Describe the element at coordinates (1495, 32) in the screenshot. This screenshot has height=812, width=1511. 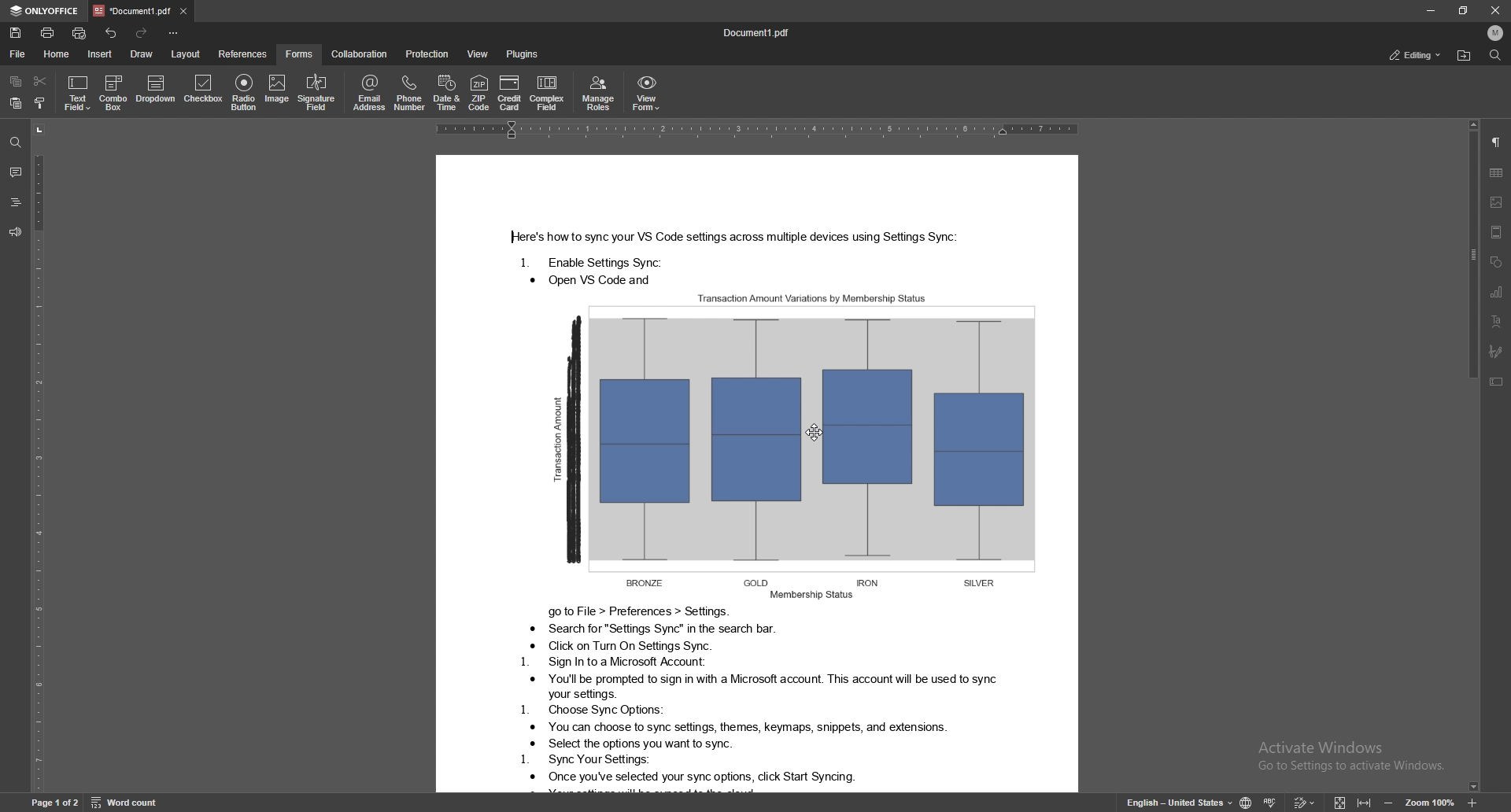
I see `profile` at that location.